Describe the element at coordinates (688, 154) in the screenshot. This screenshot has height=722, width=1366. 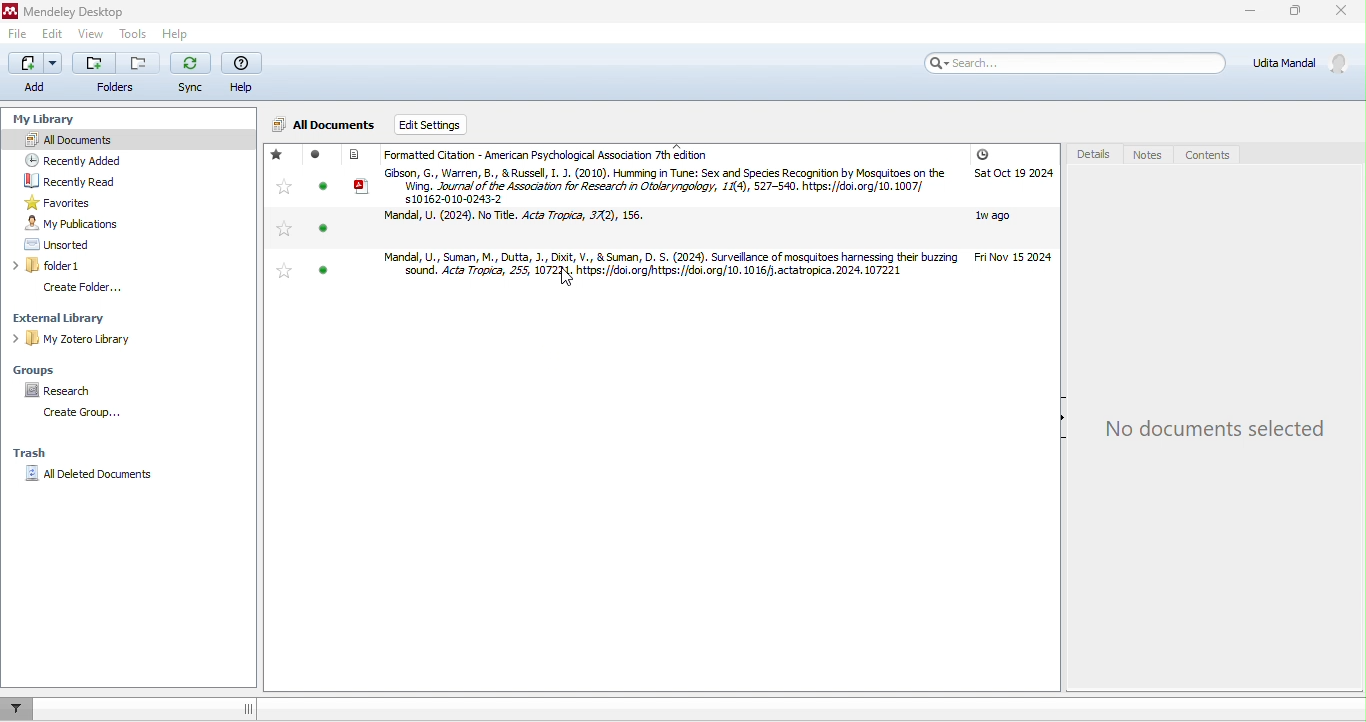
I see `Formatted Citation - American Psychological Association 7th edition` at that location.